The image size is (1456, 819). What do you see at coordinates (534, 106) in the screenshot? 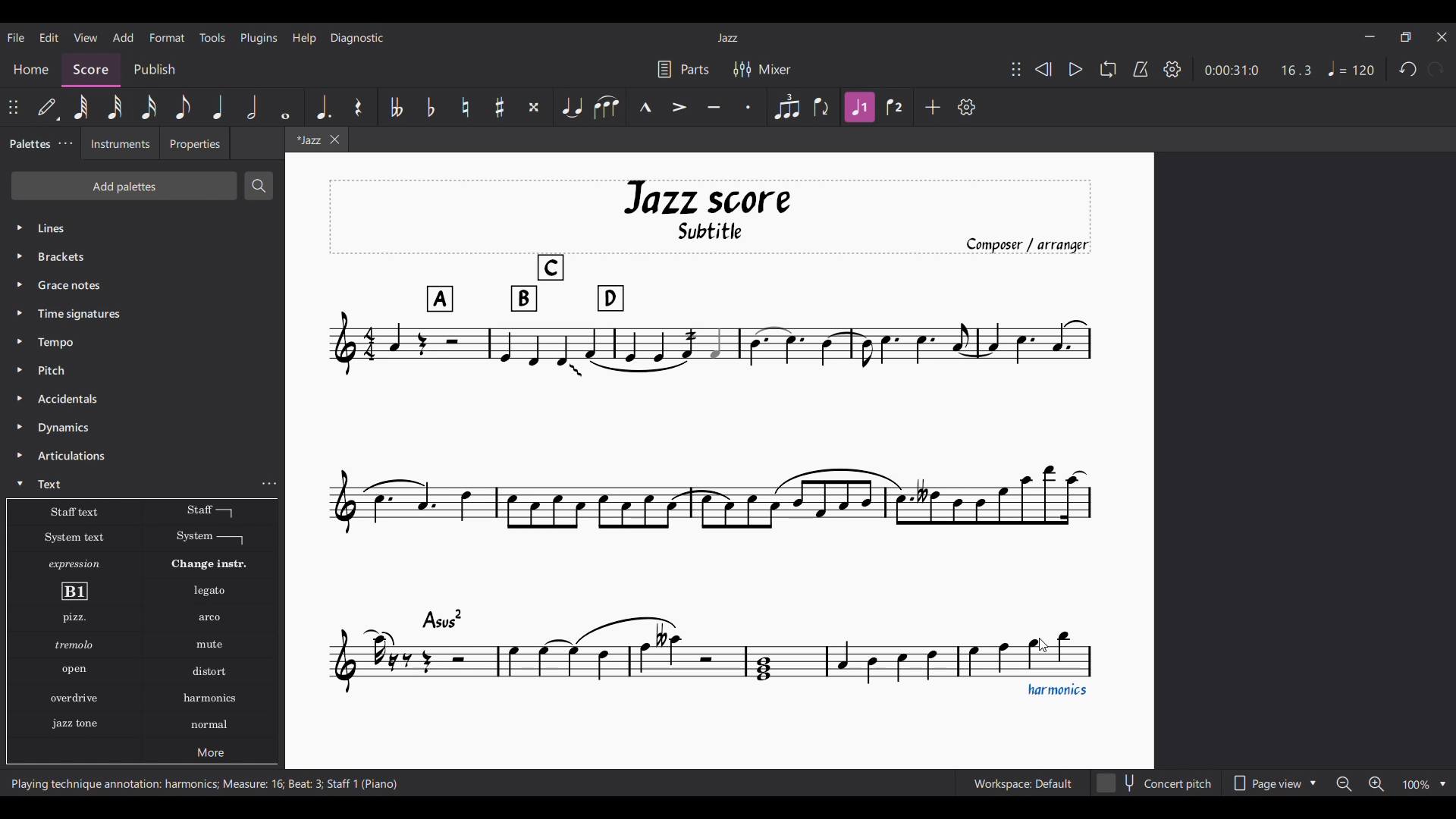
I see `Toggle double sharp` at bounding box center [534, 106].